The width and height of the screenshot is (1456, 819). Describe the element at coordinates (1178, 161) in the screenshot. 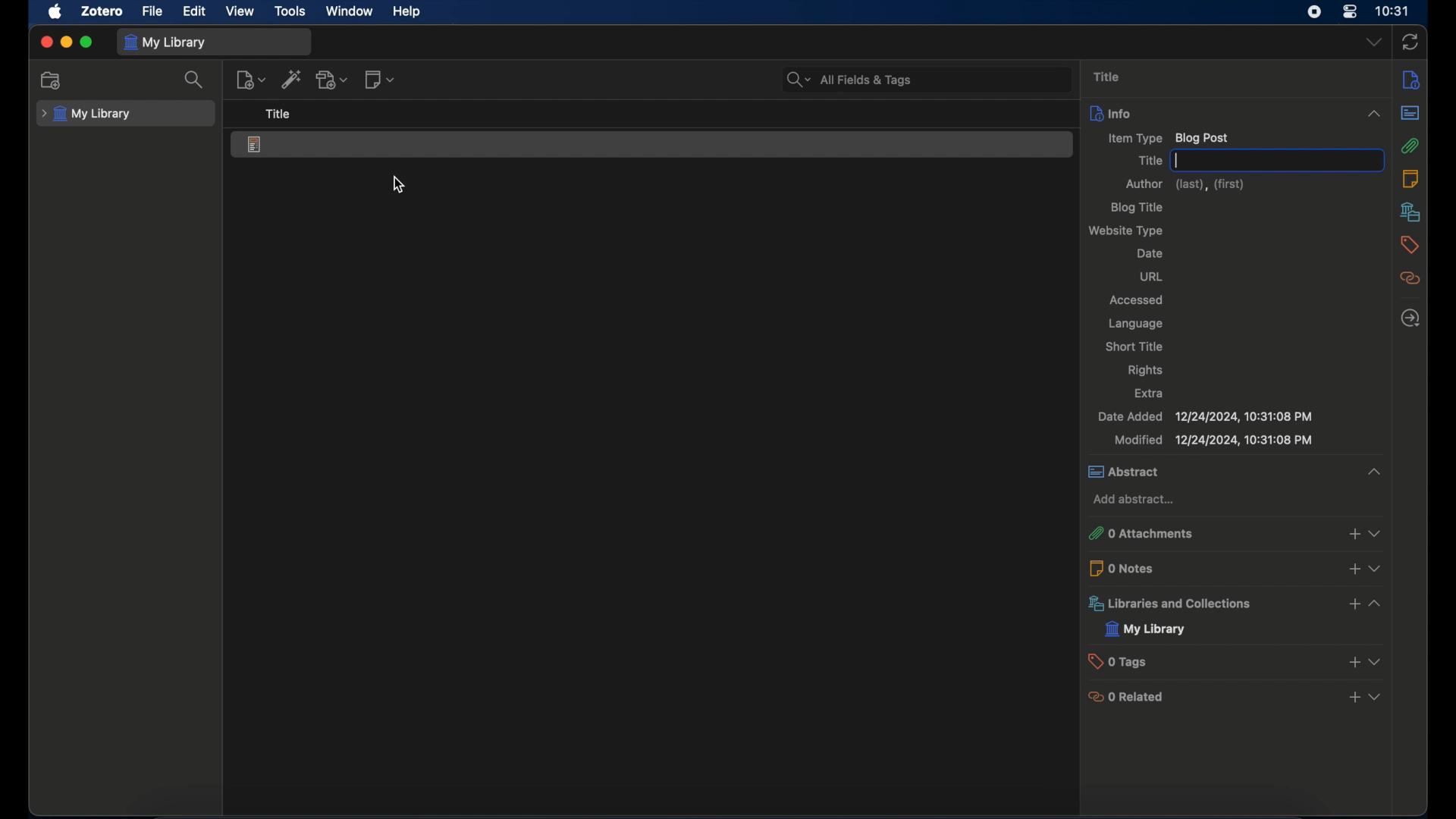

I see `text cursor` at that location.